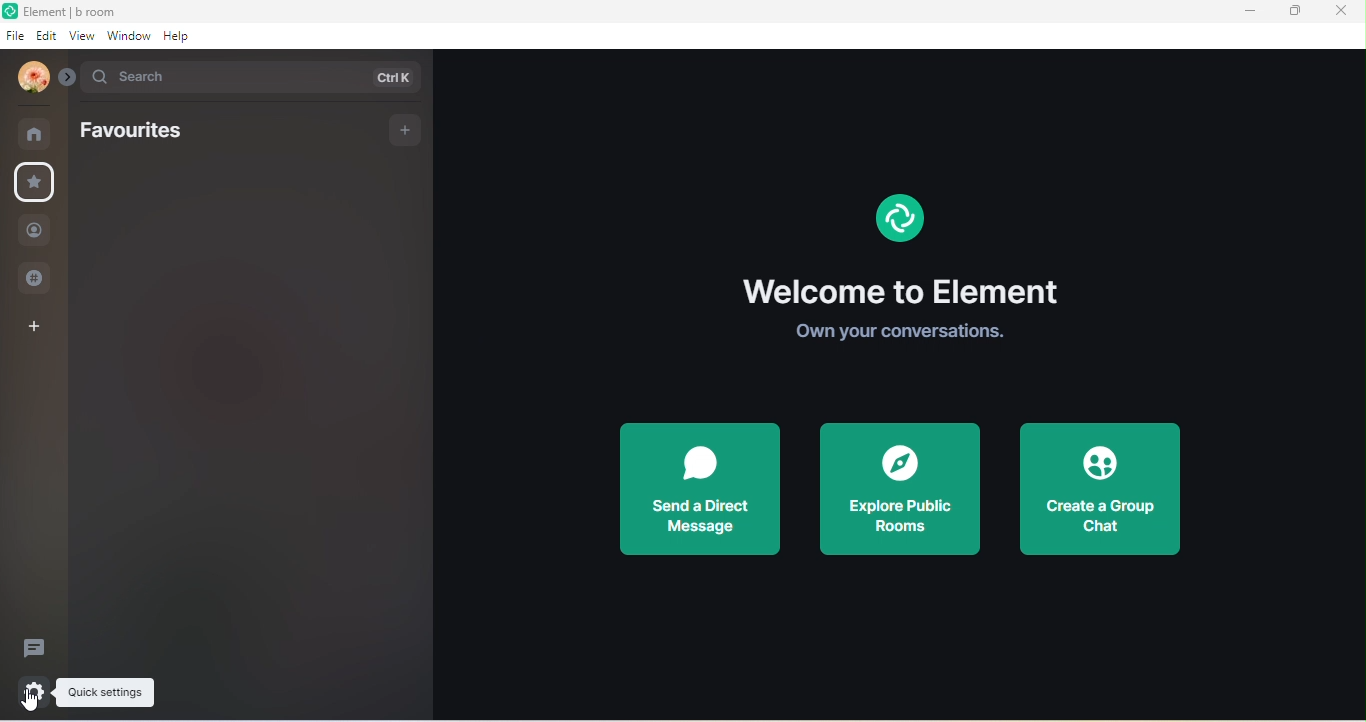 This screenshot has width=1366, height=722. I want to click on search, so click(258, 77).